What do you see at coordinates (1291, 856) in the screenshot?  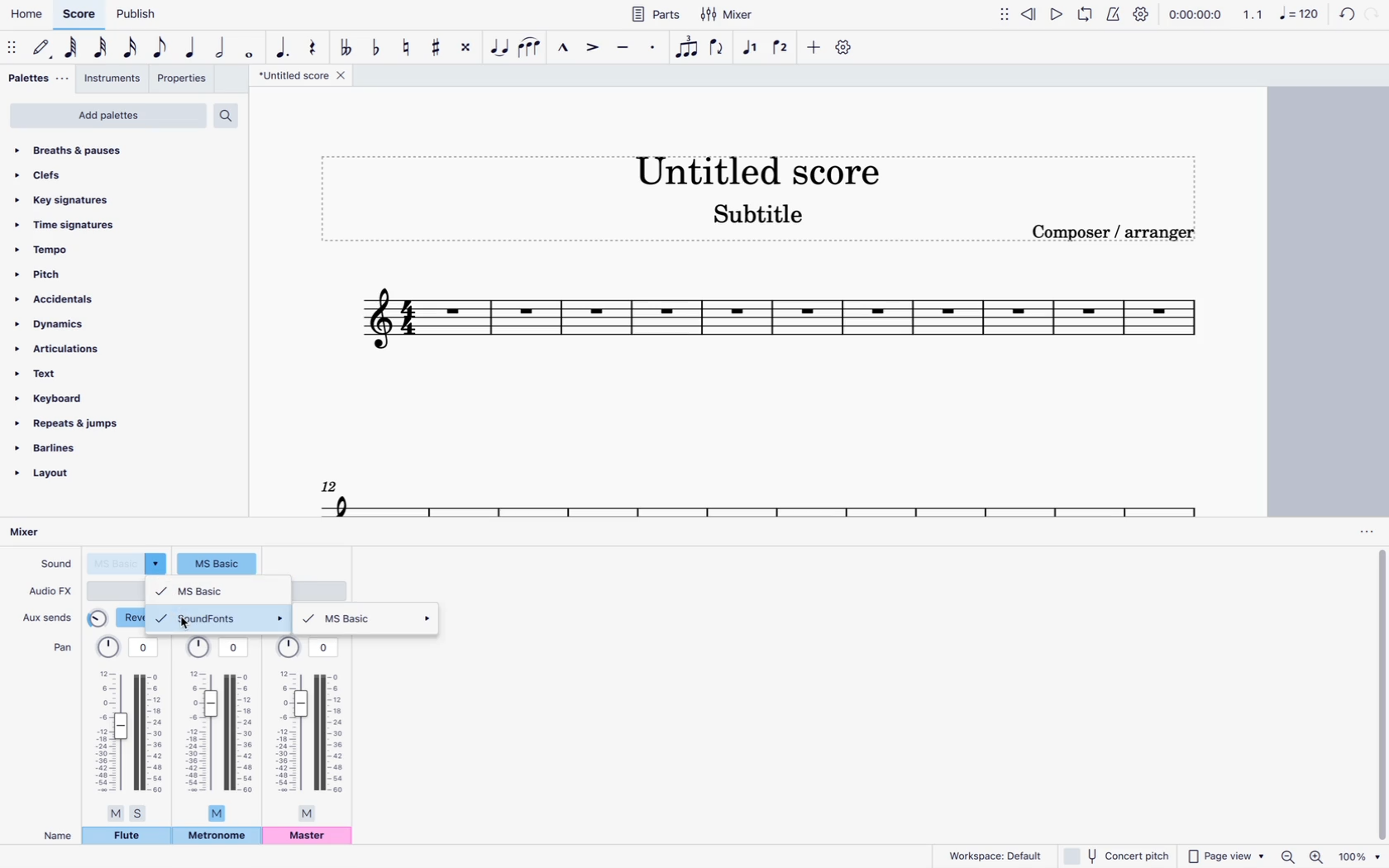 I see `zoom out` at bounding box center [1291, 856].